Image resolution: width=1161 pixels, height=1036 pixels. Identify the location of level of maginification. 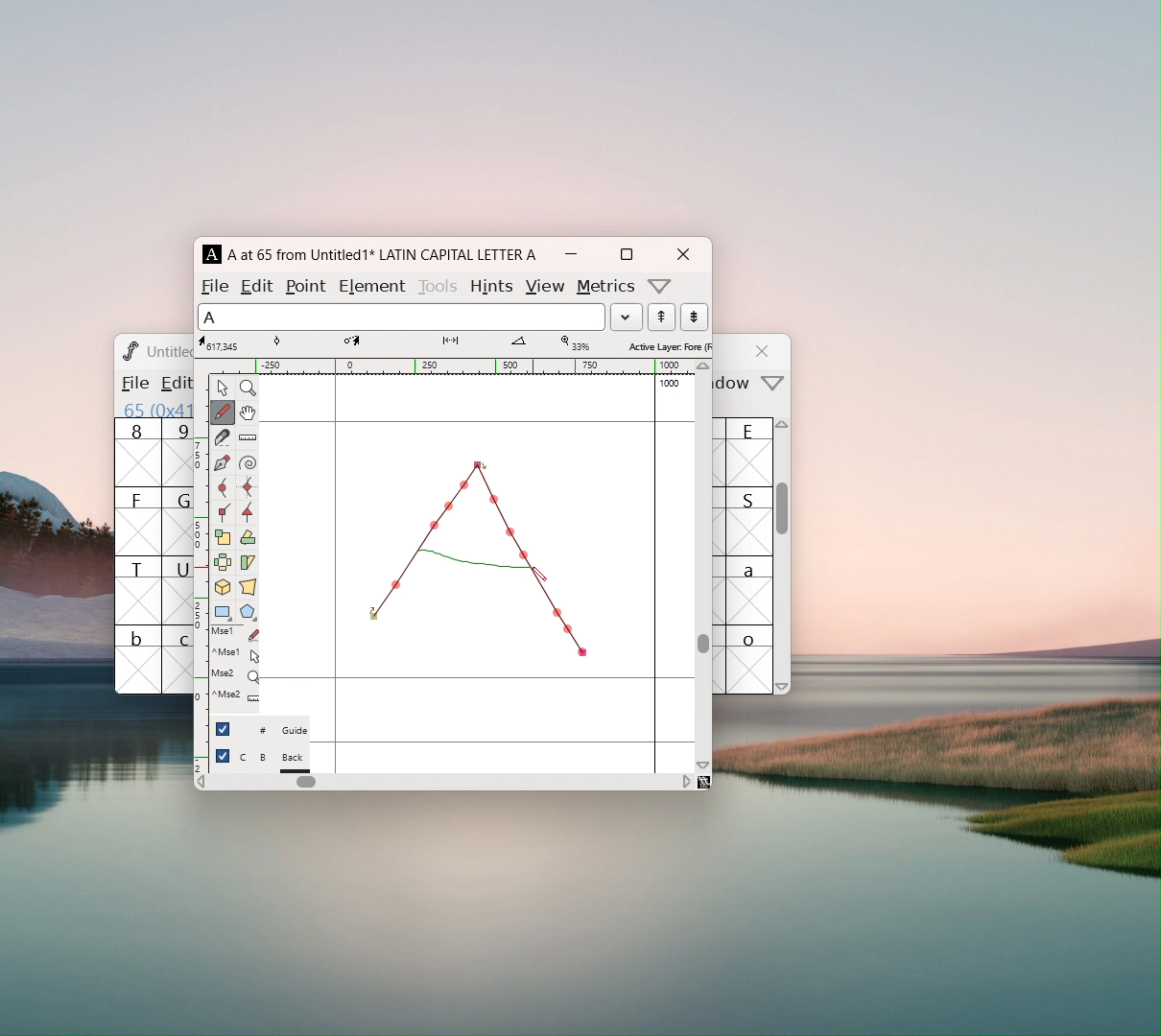
(574, 343).